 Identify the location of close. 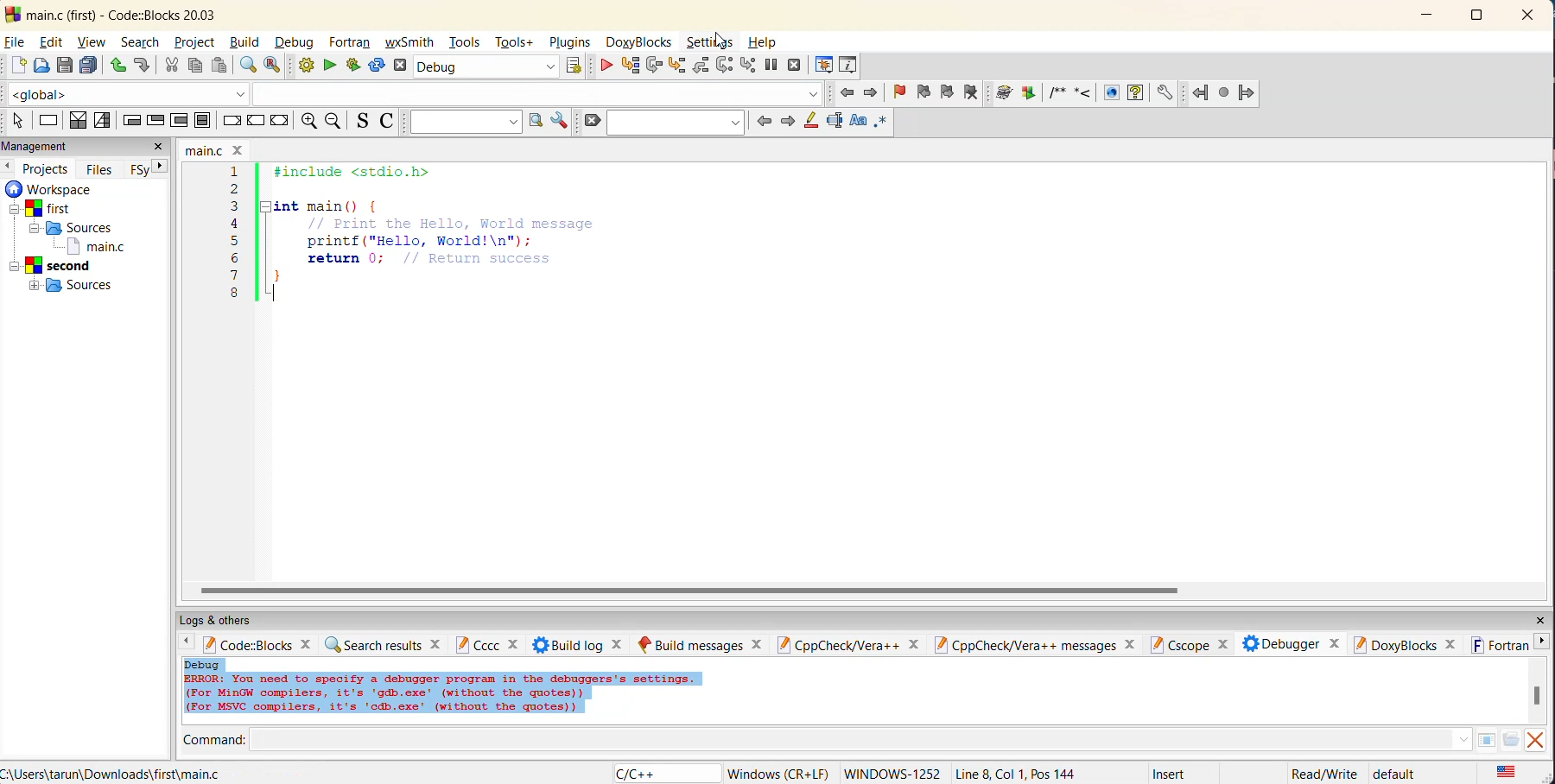
(1529, 16).